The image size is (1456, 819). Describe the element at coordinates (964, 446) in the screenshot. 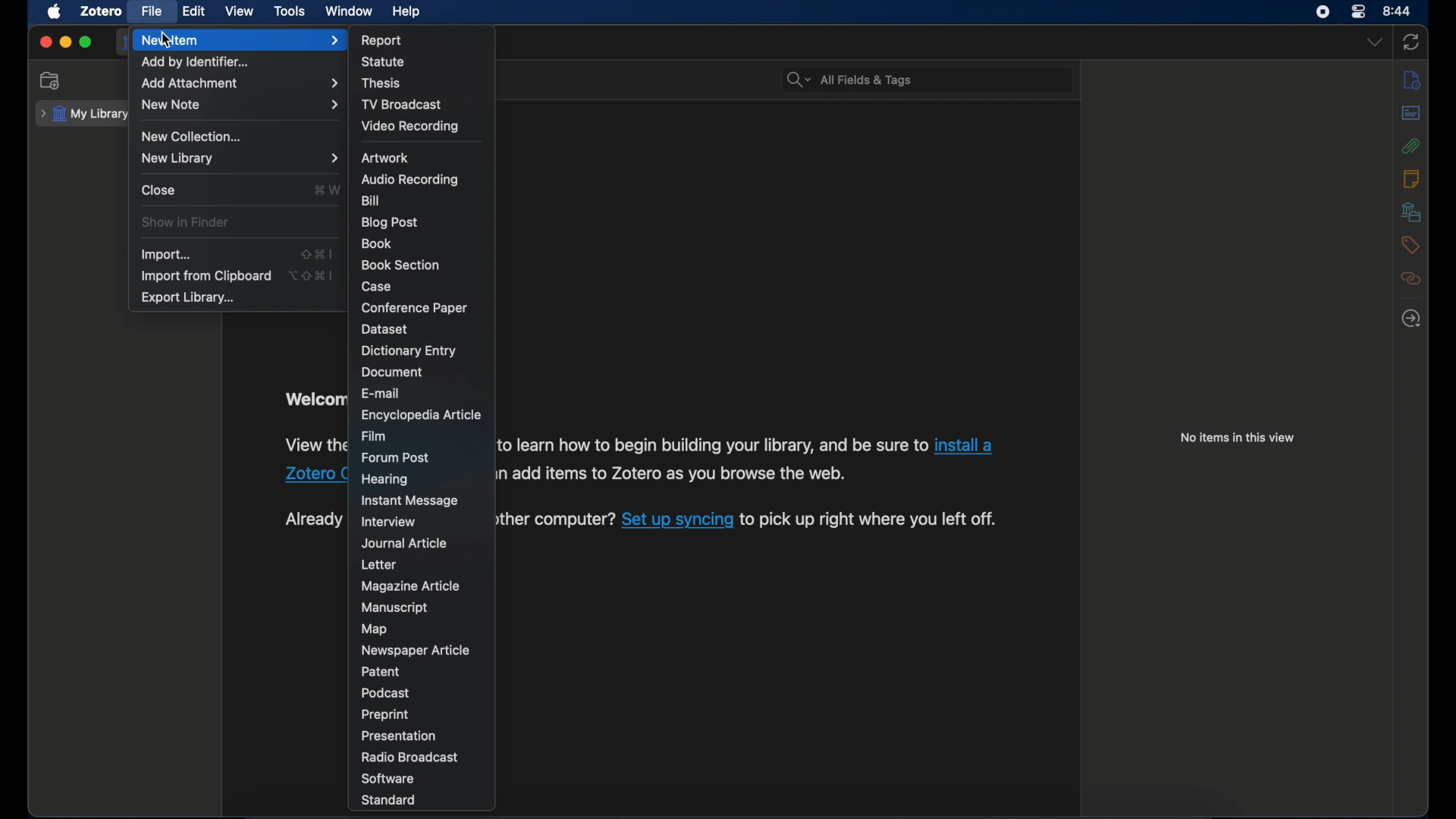

I see `Zotero connector link` at that location.